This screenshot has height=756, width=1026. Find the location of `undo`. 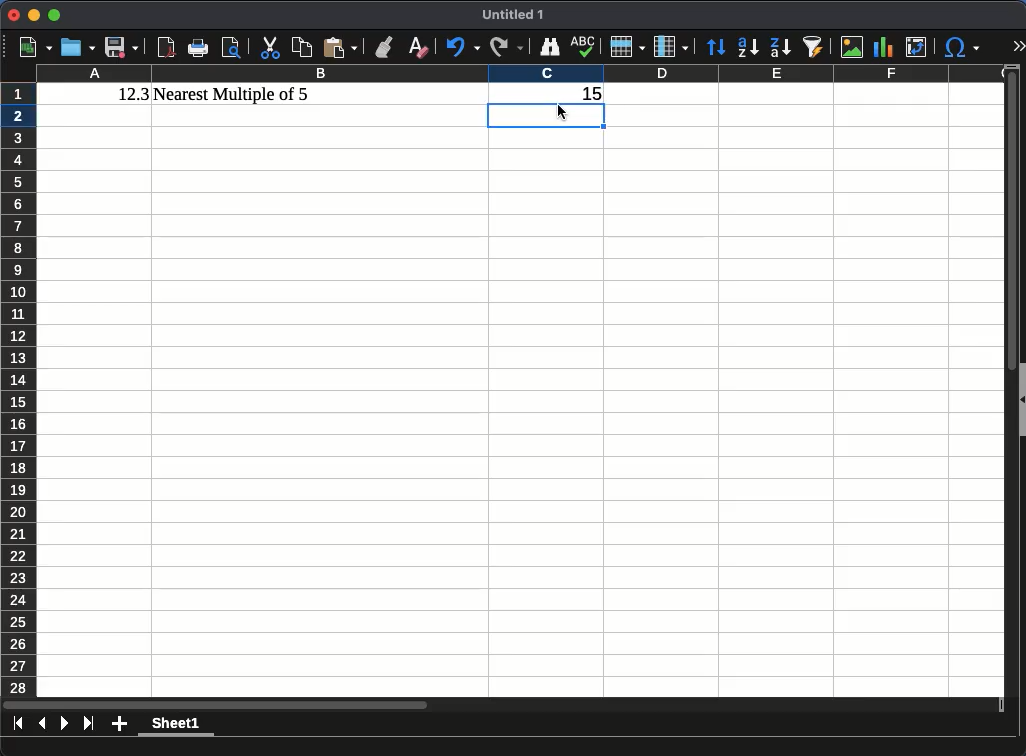

undo is located at coordinates (462, 48).